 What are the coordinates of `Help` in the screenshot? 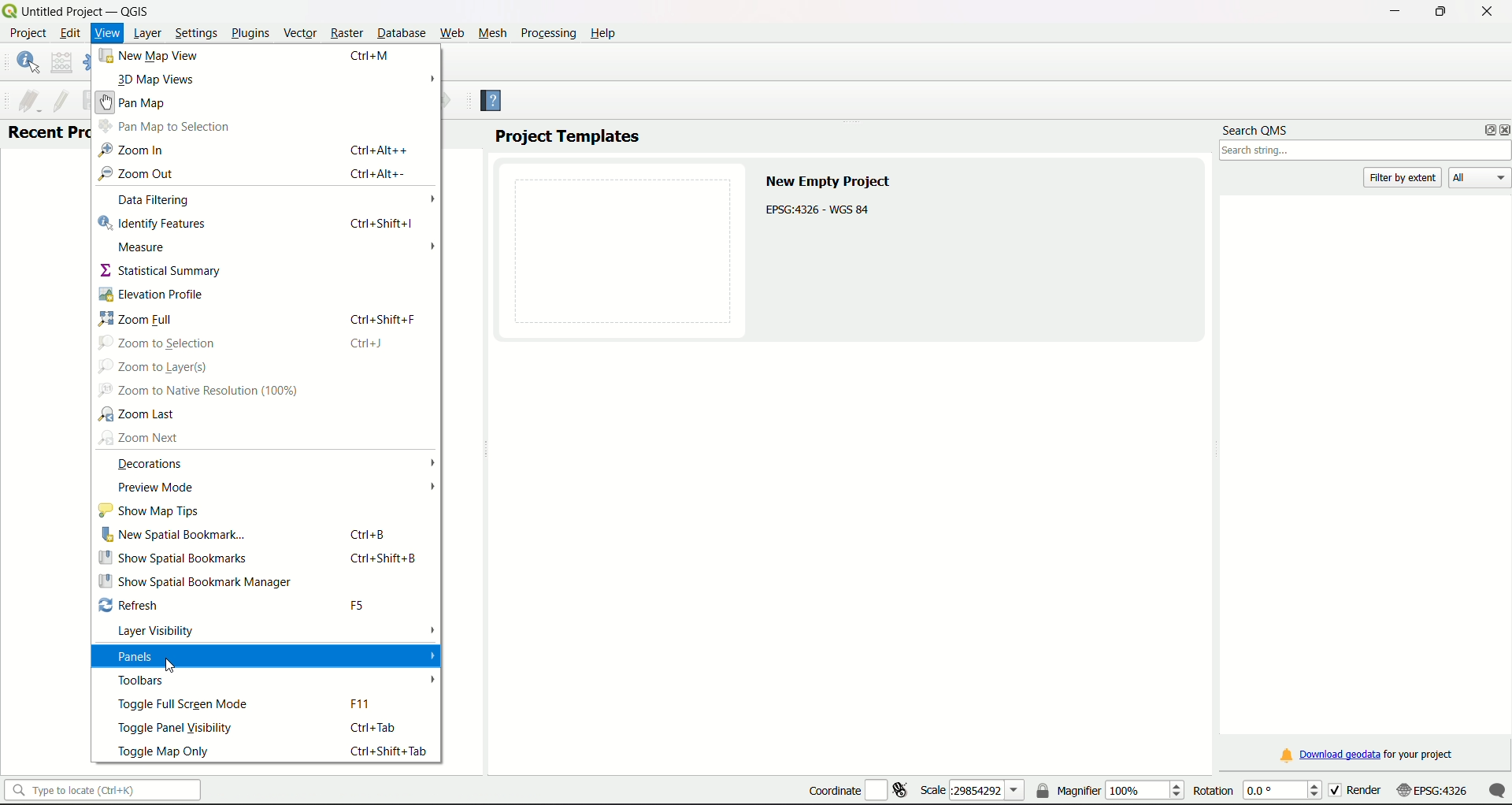 It's located at (498, 103).